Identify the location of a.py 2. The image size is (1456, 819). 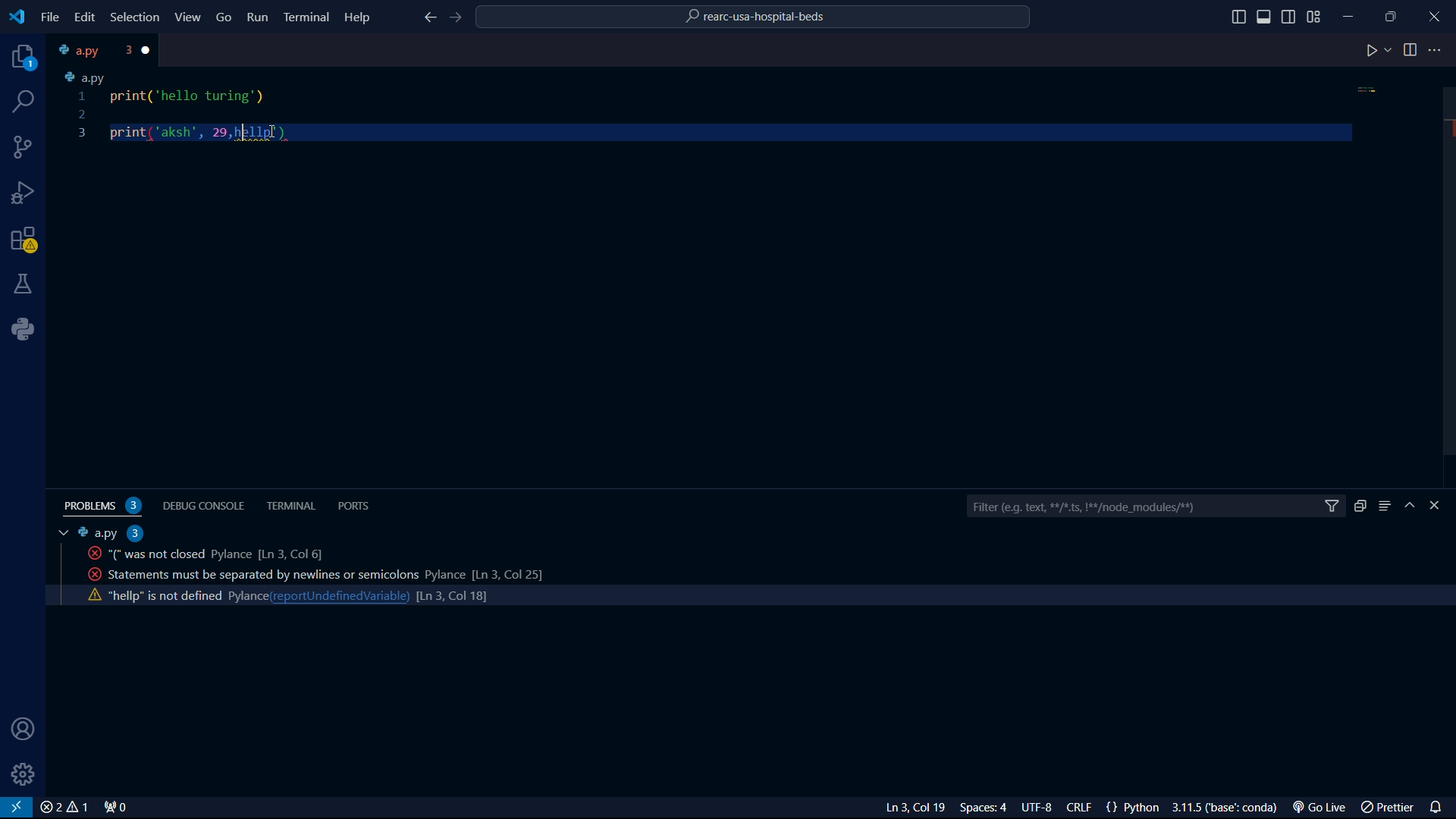
(111, 532).